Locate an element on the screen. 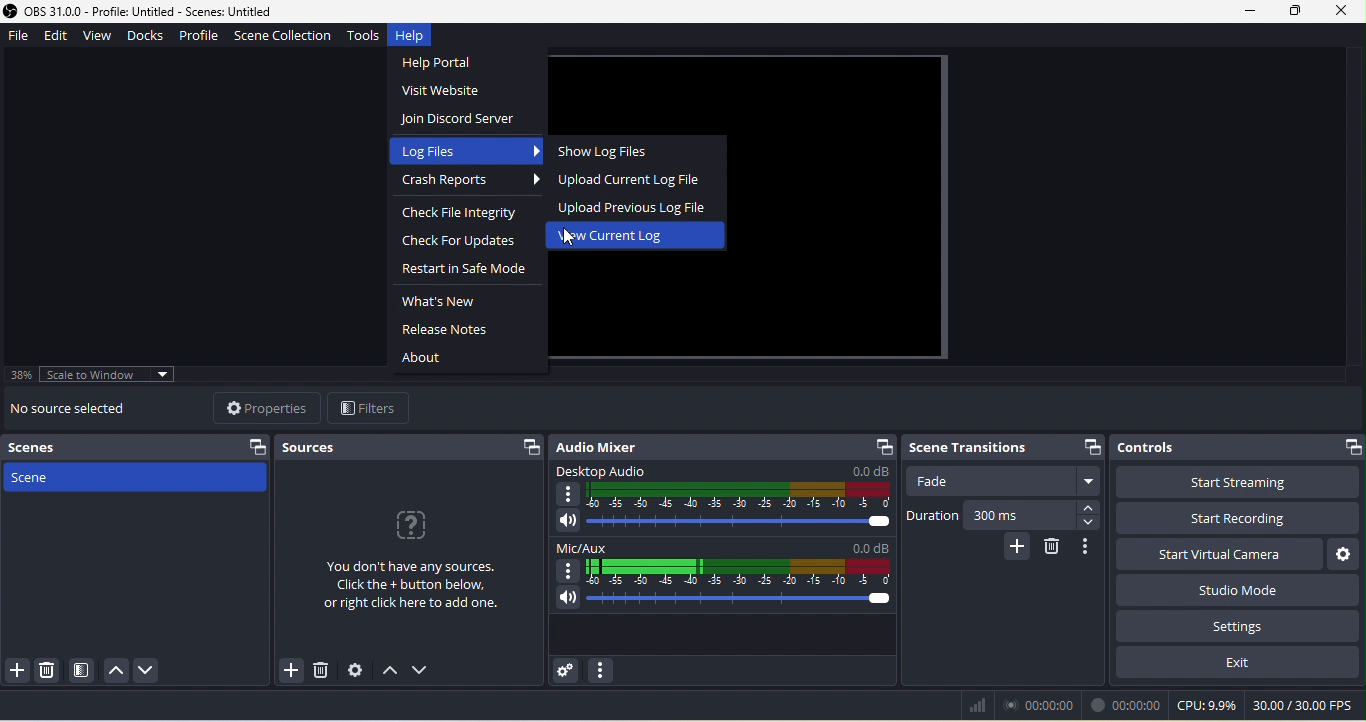 The width and height of the screenshot is (1366, 722). audio mixer is located at coordinates (723, 446).